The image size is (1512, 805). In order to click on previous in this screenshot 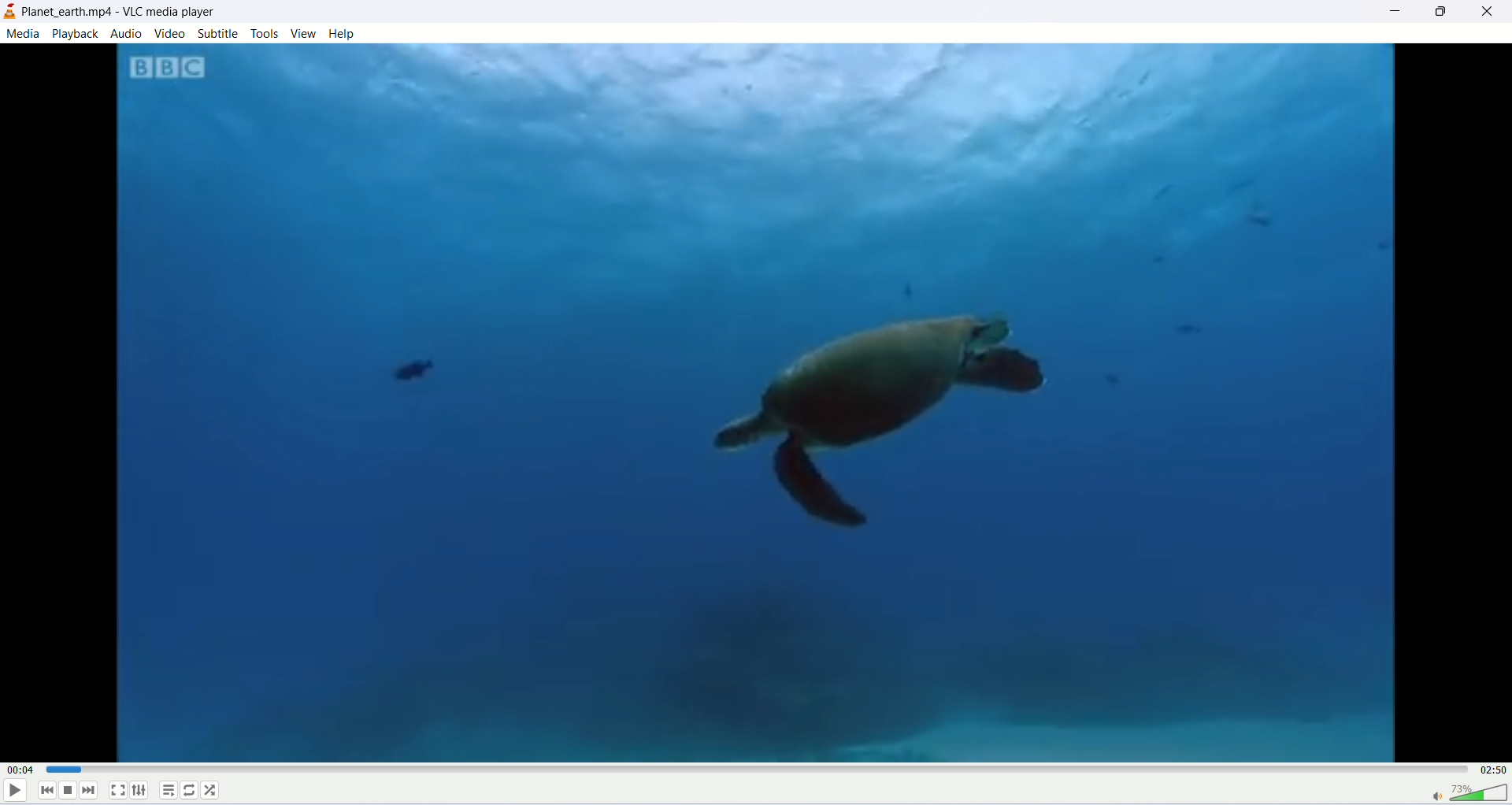, I will do `click(50, 793)`.